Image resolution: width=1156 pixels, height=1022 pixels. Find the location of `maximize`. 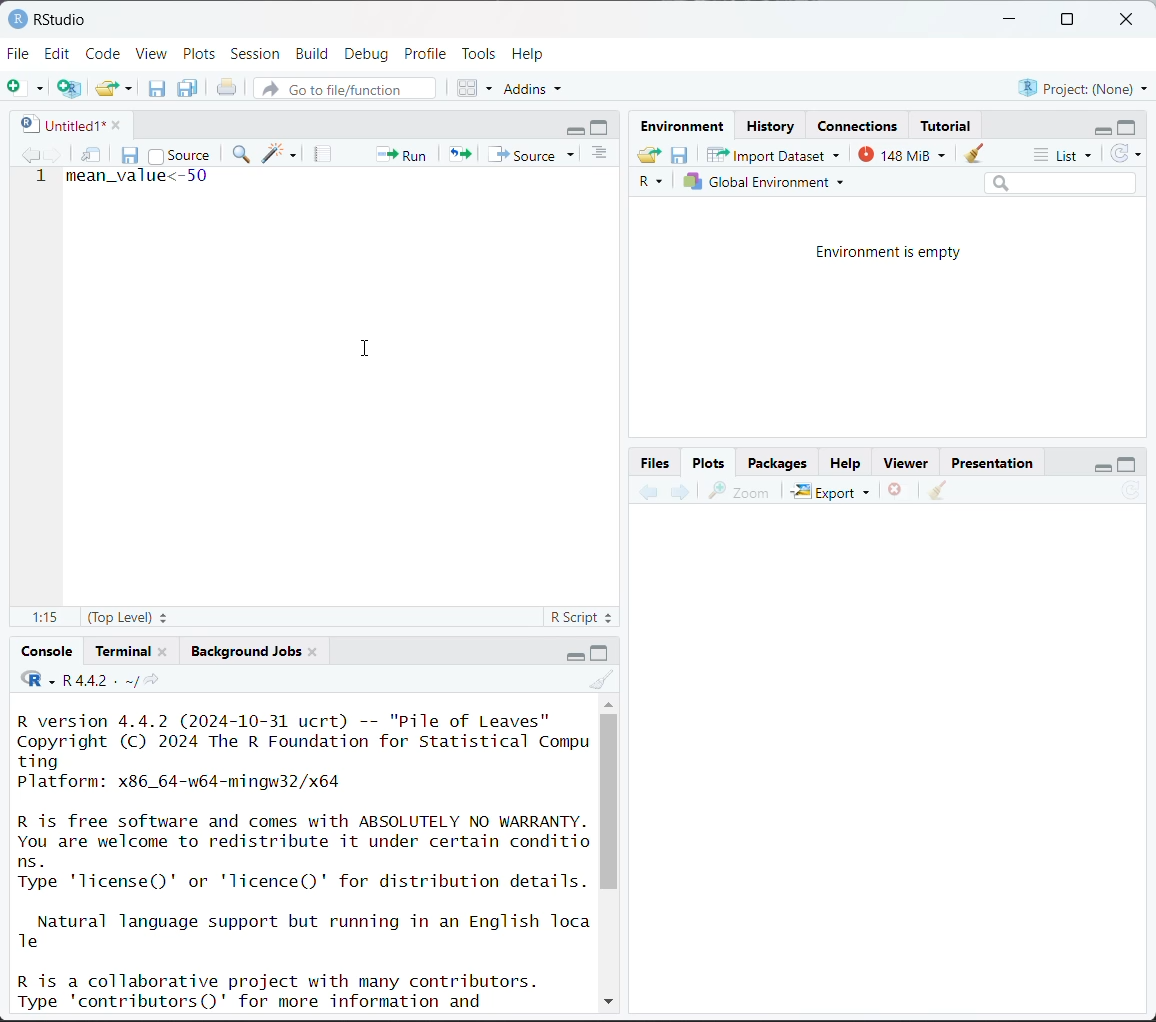

maximize is located at coordinates (602, 127).